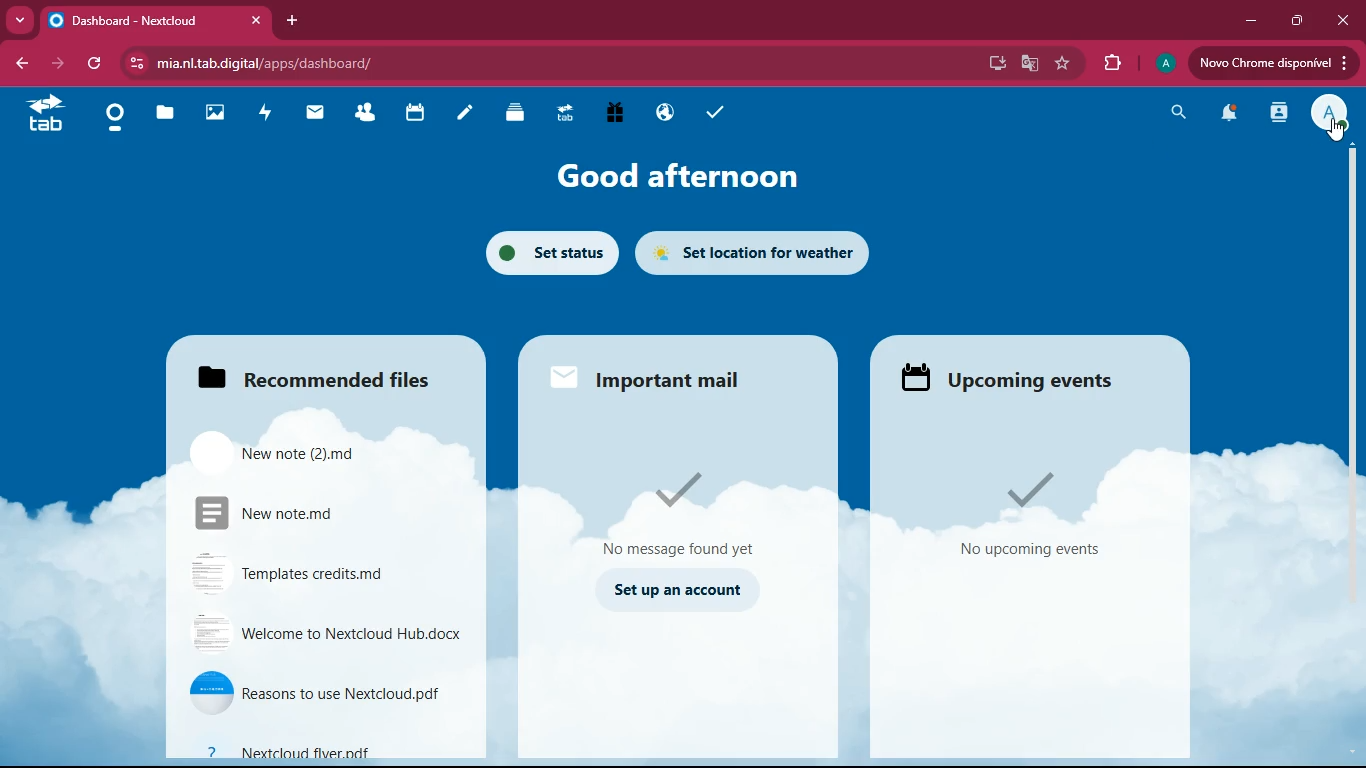 This screenshot has height=768, width=1366. I want to click on back, so click(20, 64).